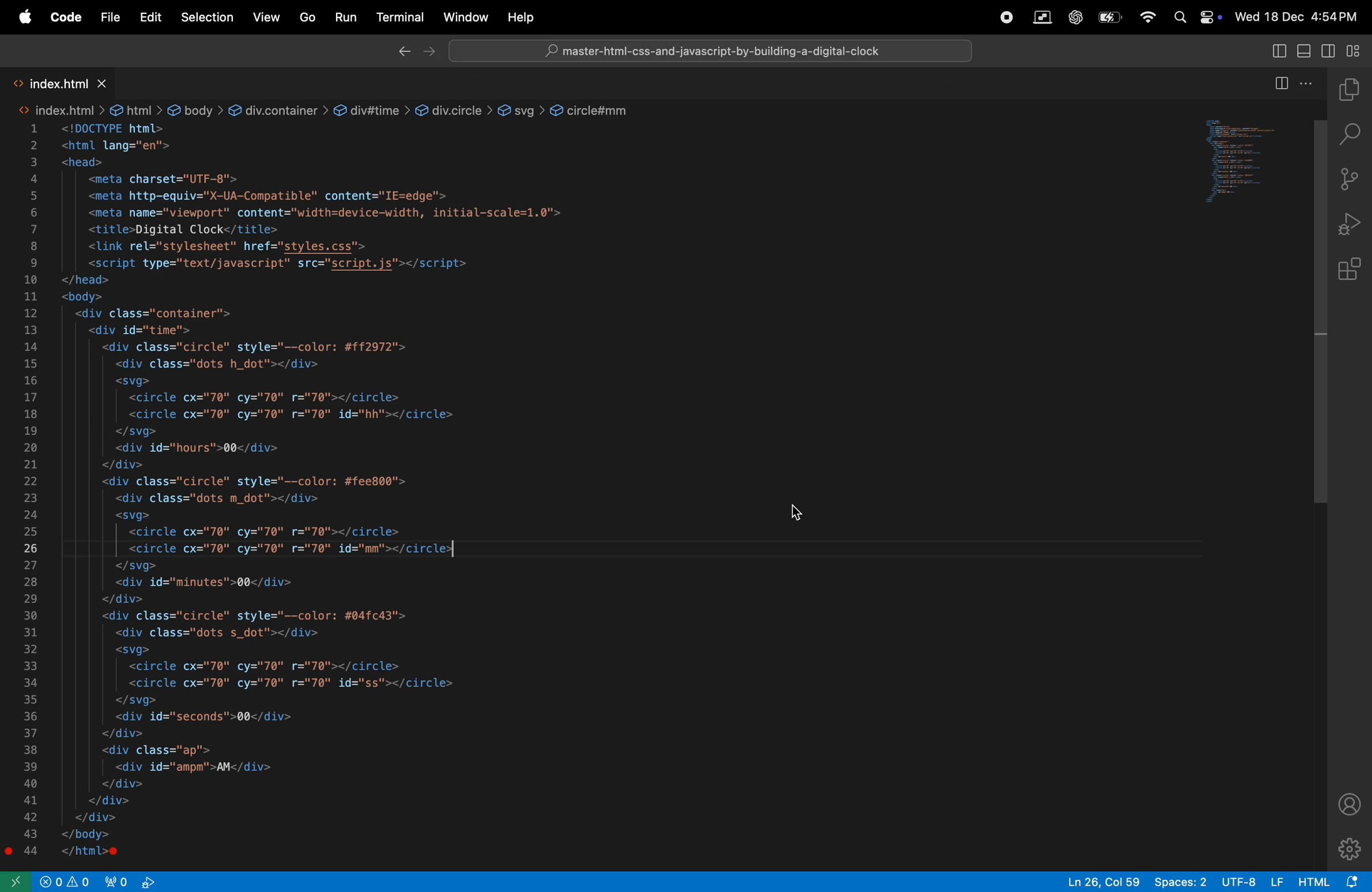 Image resolution: width=1372 pixels, height=892 pixels. Describe the element at coordinates (345, 17) in the screenshot. I see `run` at that location.